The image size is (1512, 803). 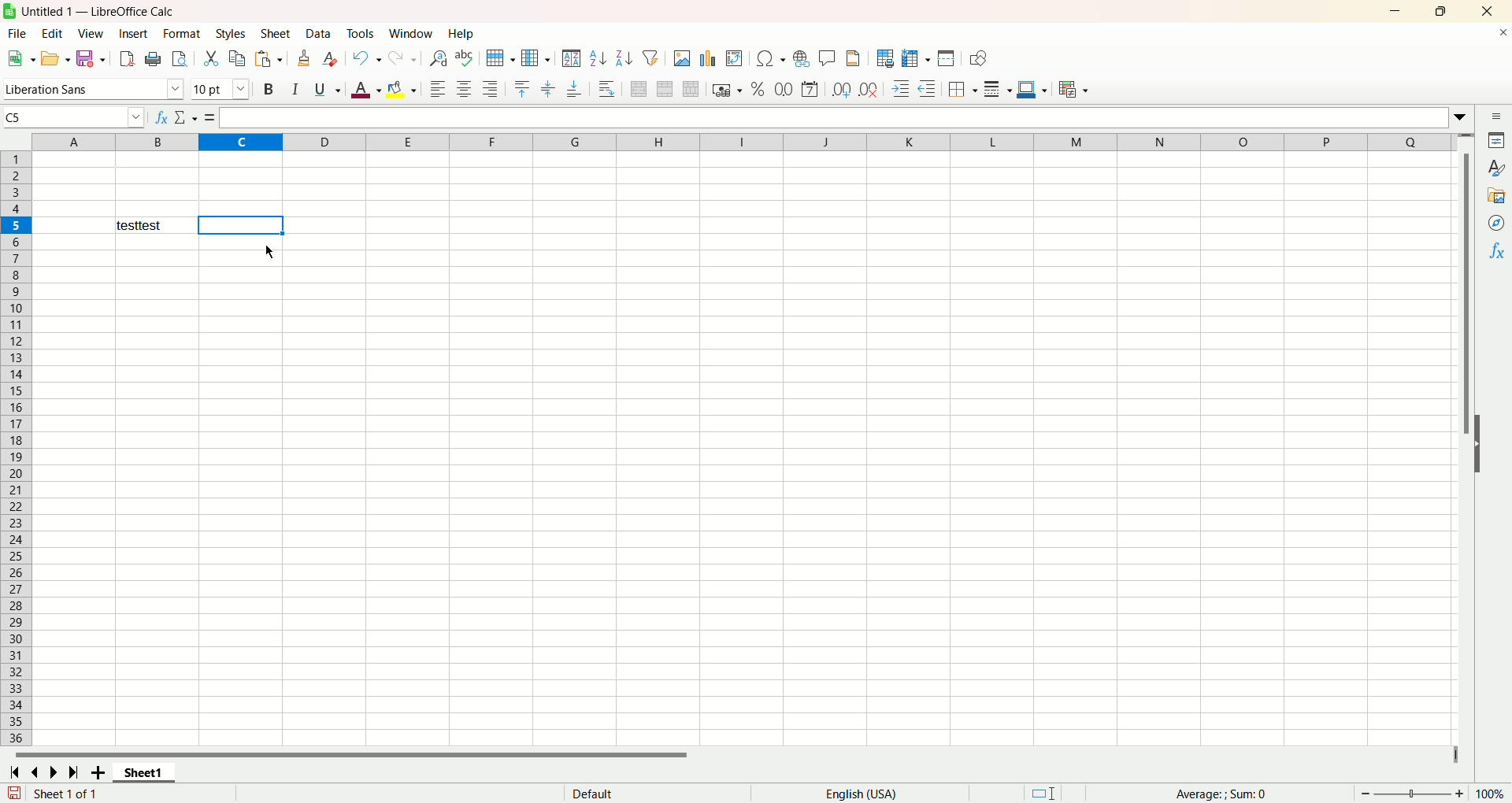 What do you see at coordinates (689, 89) in the screenshot?
I see `unmerge cells` at bounding box center [689, 89].